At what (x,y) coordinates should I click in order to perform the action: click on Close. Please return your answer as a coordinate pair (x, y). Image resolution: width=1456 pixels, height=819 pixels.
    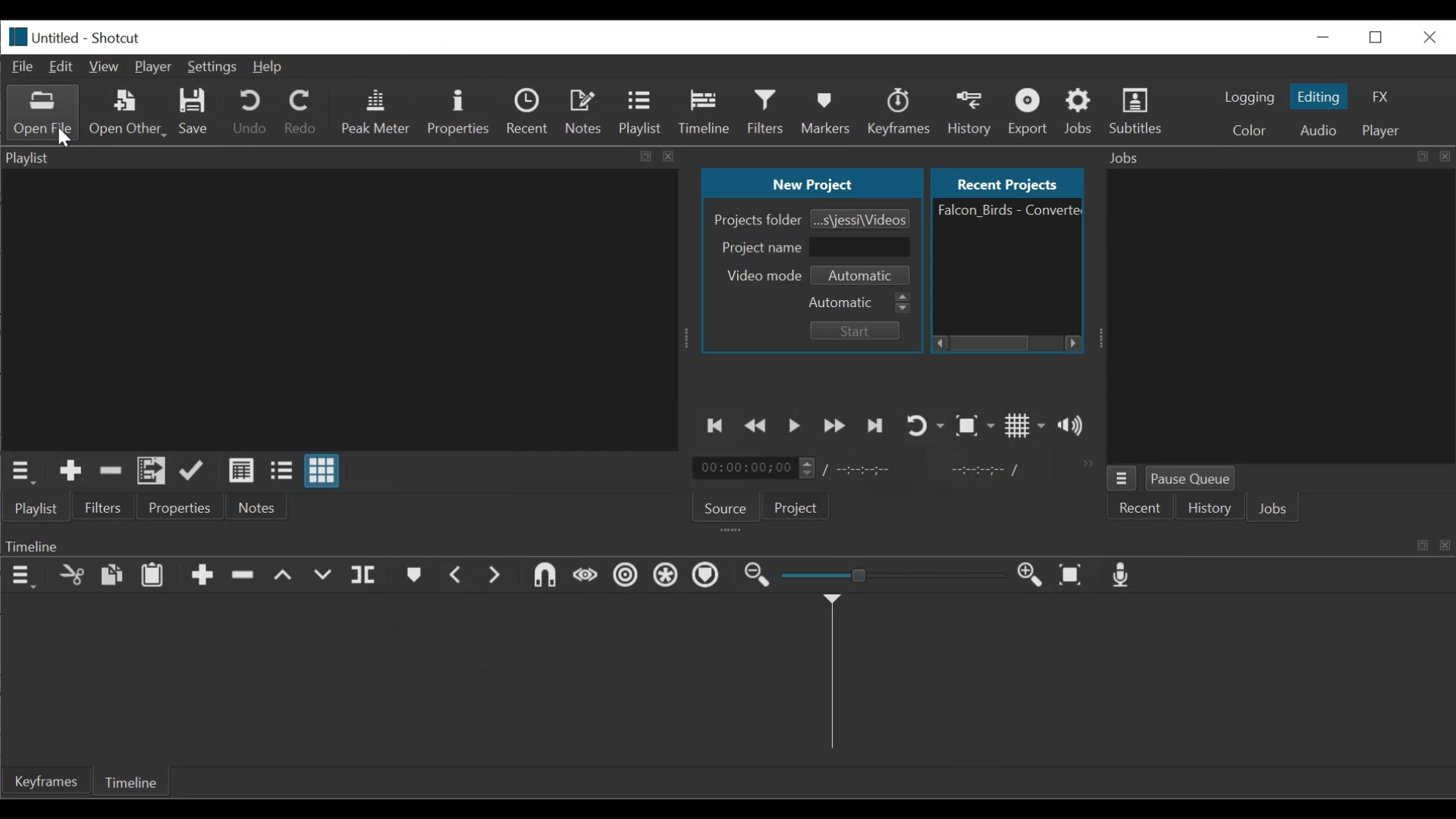
    Looking at the image, I should click on (1426, 36).